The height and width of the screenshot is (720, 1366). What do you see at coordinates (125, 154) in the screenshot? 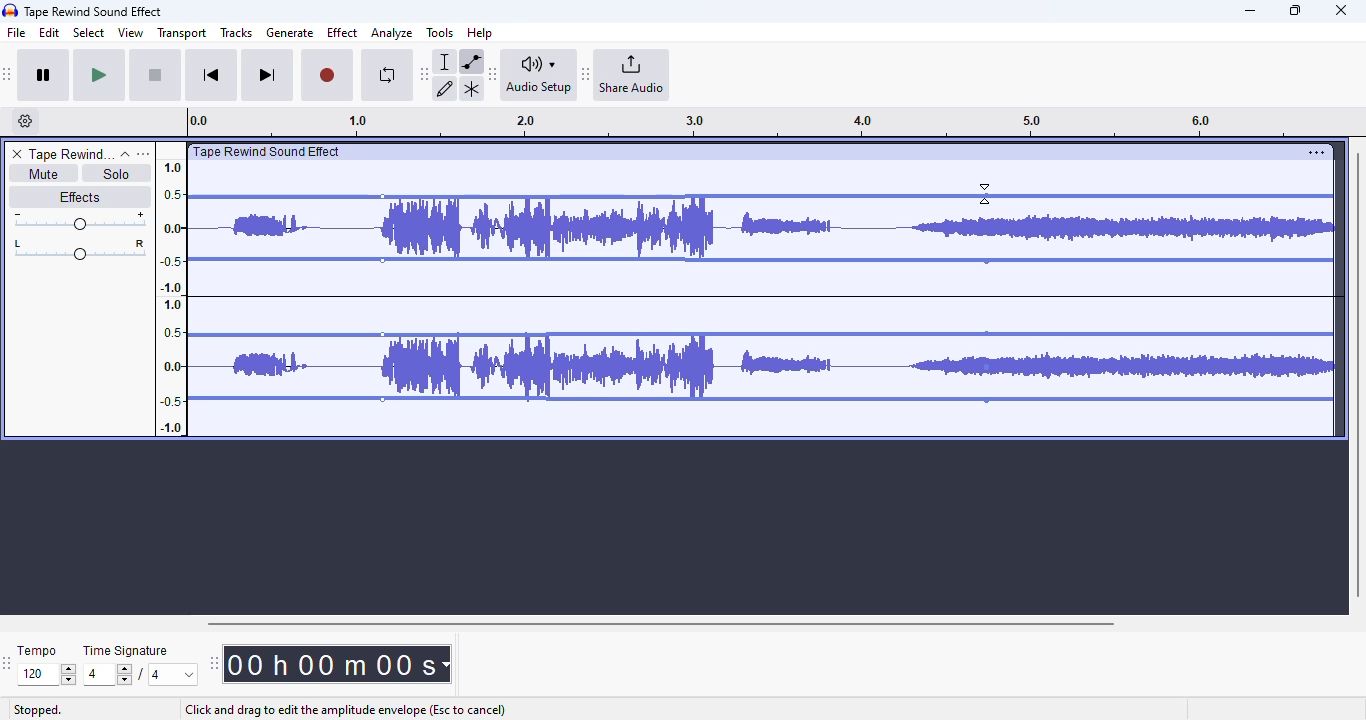
I see `collapse` at bounding box center [125, 154].